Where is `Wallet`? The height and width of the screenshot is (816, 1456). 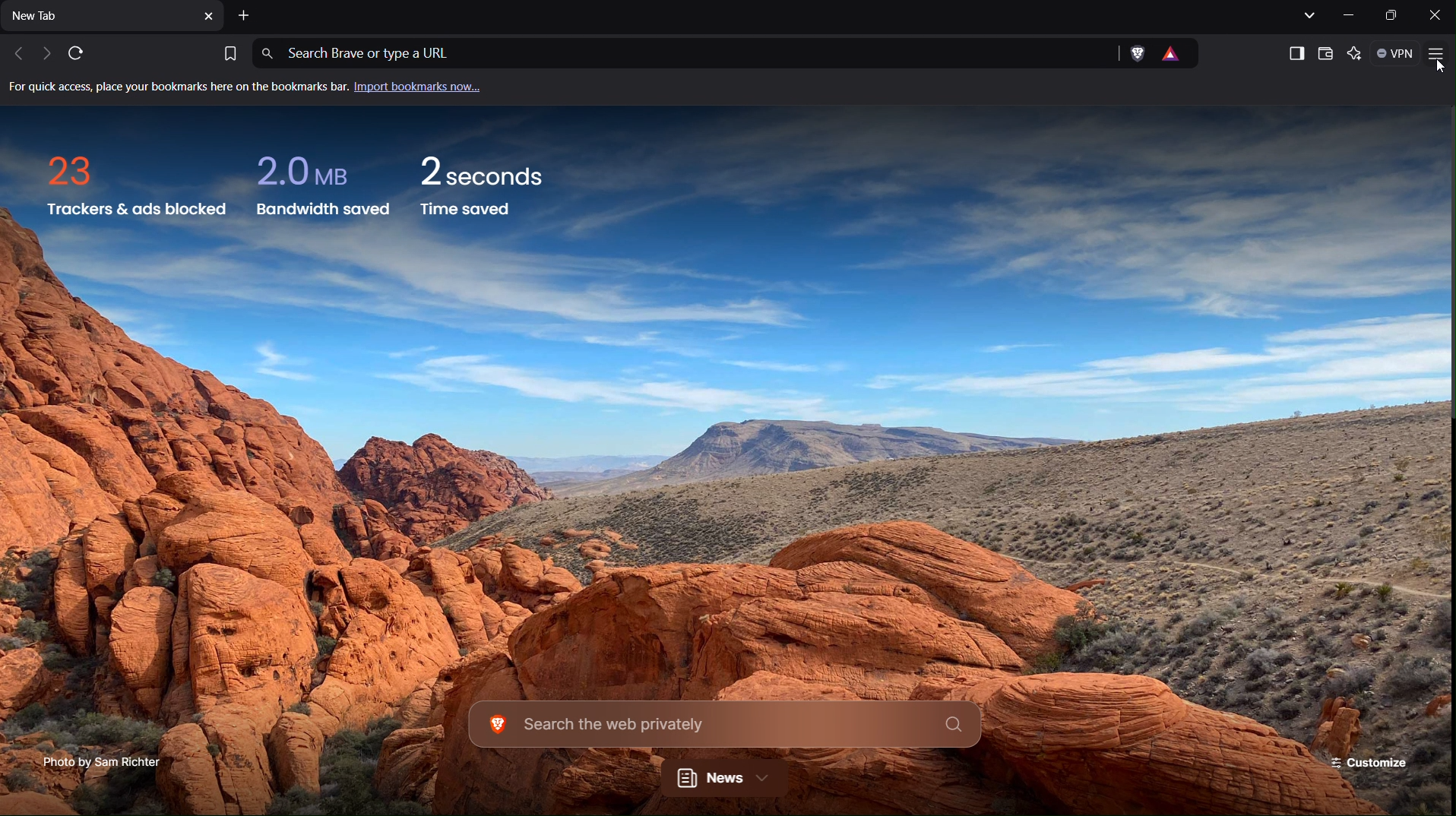
Wallet is located at coordinates (1324, 52).